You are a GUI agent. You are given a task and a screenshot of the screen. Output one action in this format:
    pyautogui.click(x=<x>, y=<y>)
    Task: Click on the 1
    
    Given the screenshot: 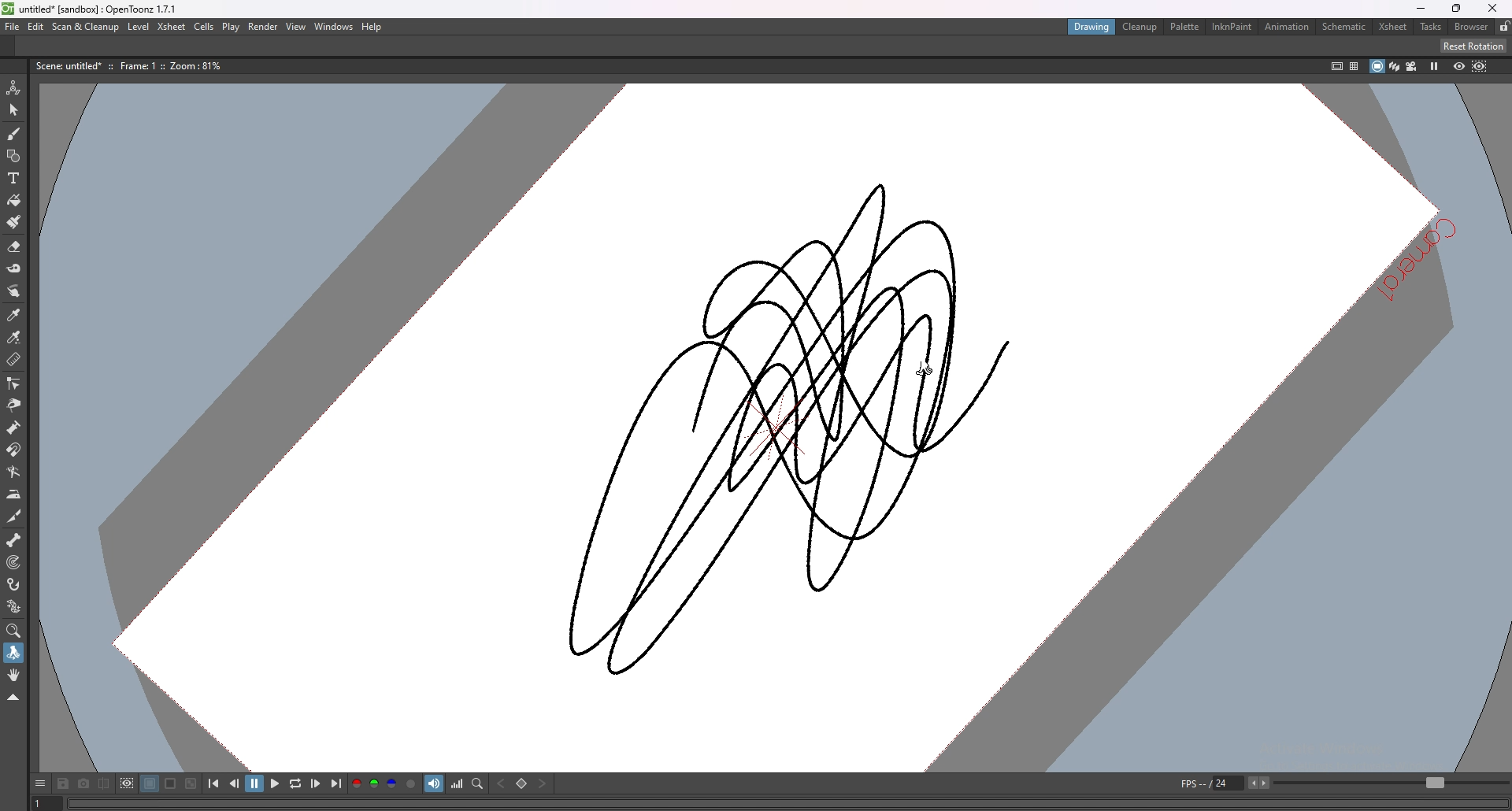 What is the action you would take?
    pyautogui.click(x=42, y=803)
    